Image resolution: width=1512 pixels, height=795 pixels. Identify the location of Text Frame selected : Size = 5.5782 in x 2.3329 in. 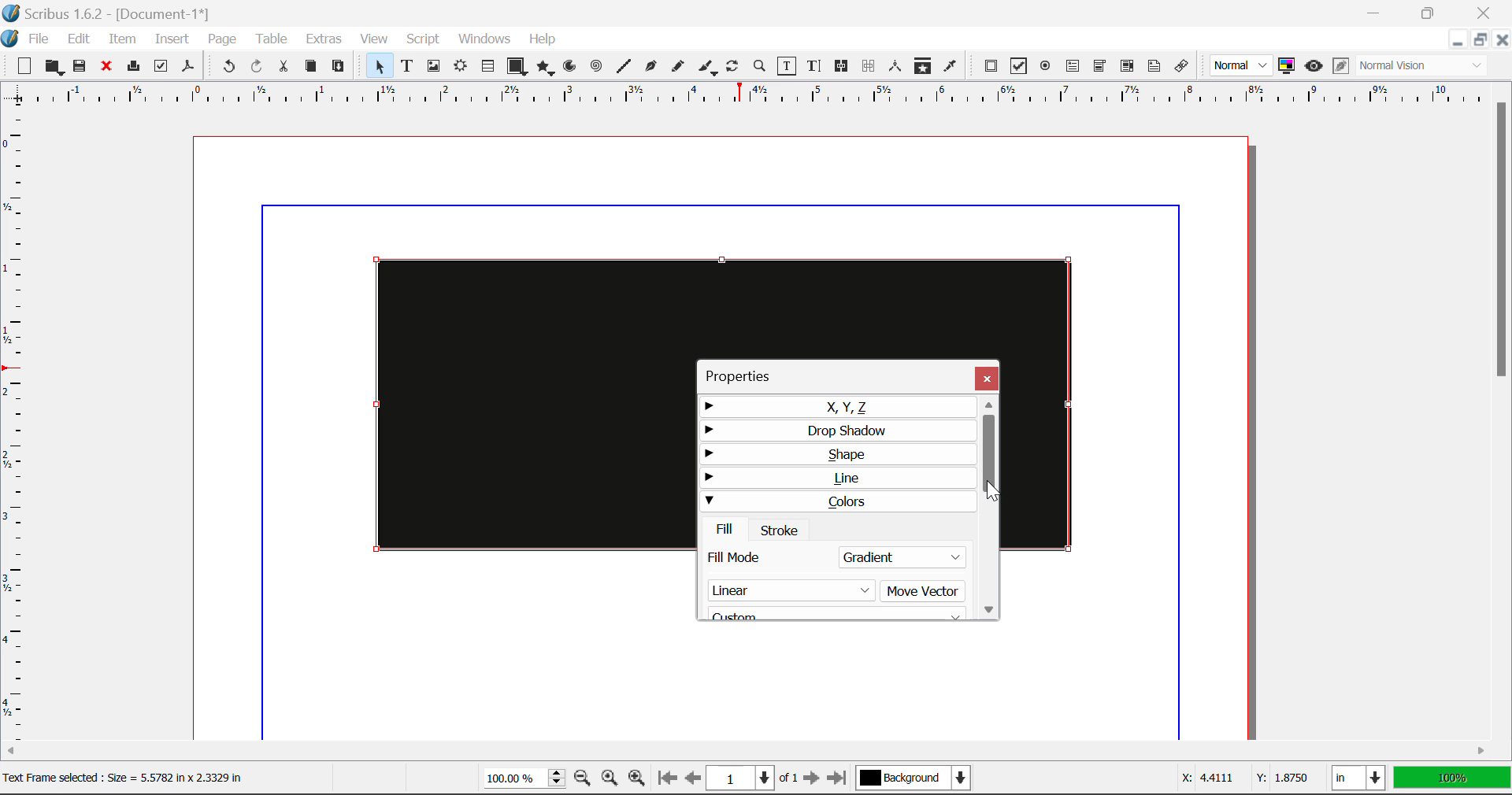
(127, 778).